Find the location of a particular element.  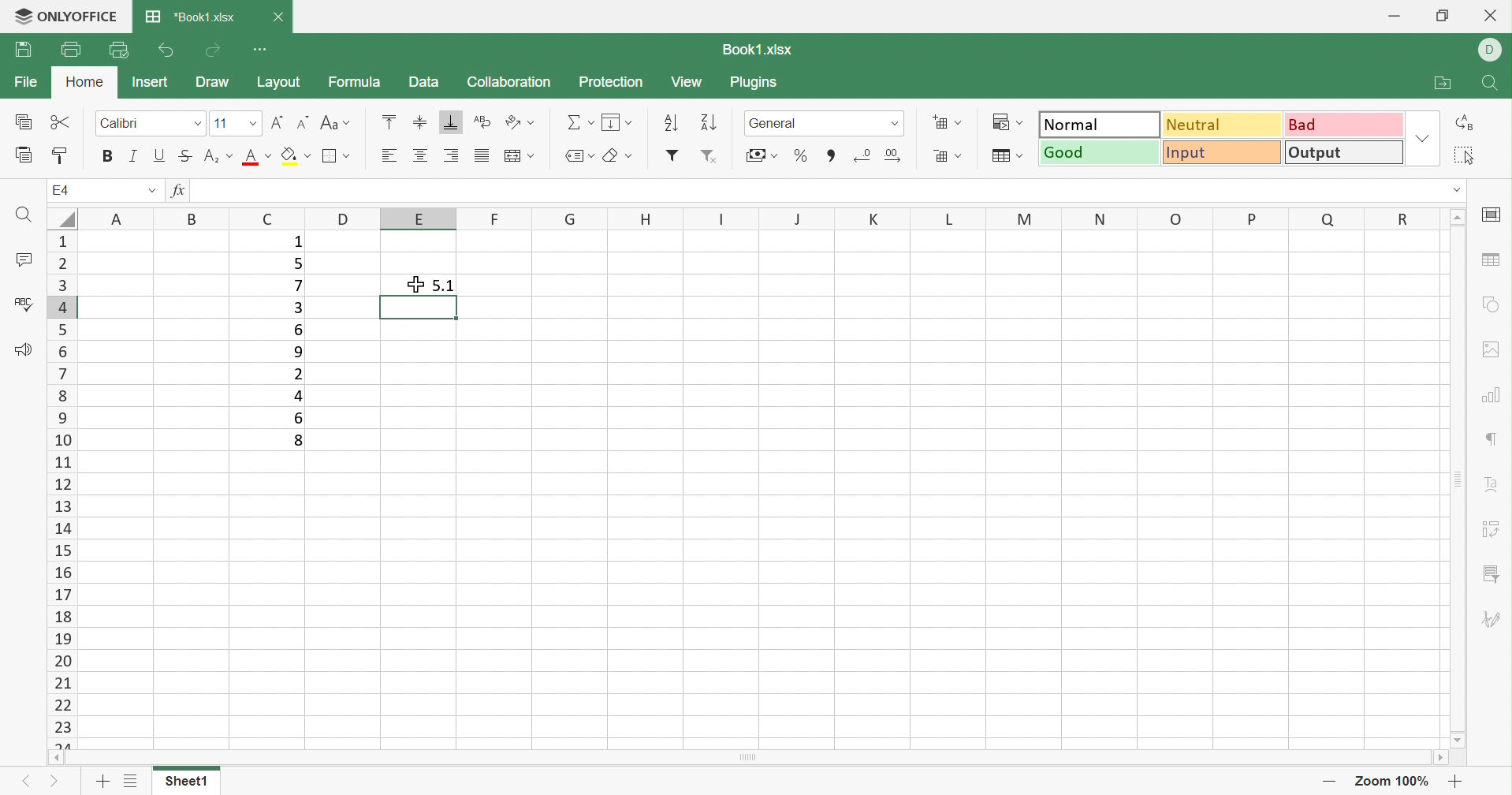

Select all is located at coordinates (1465, 158).